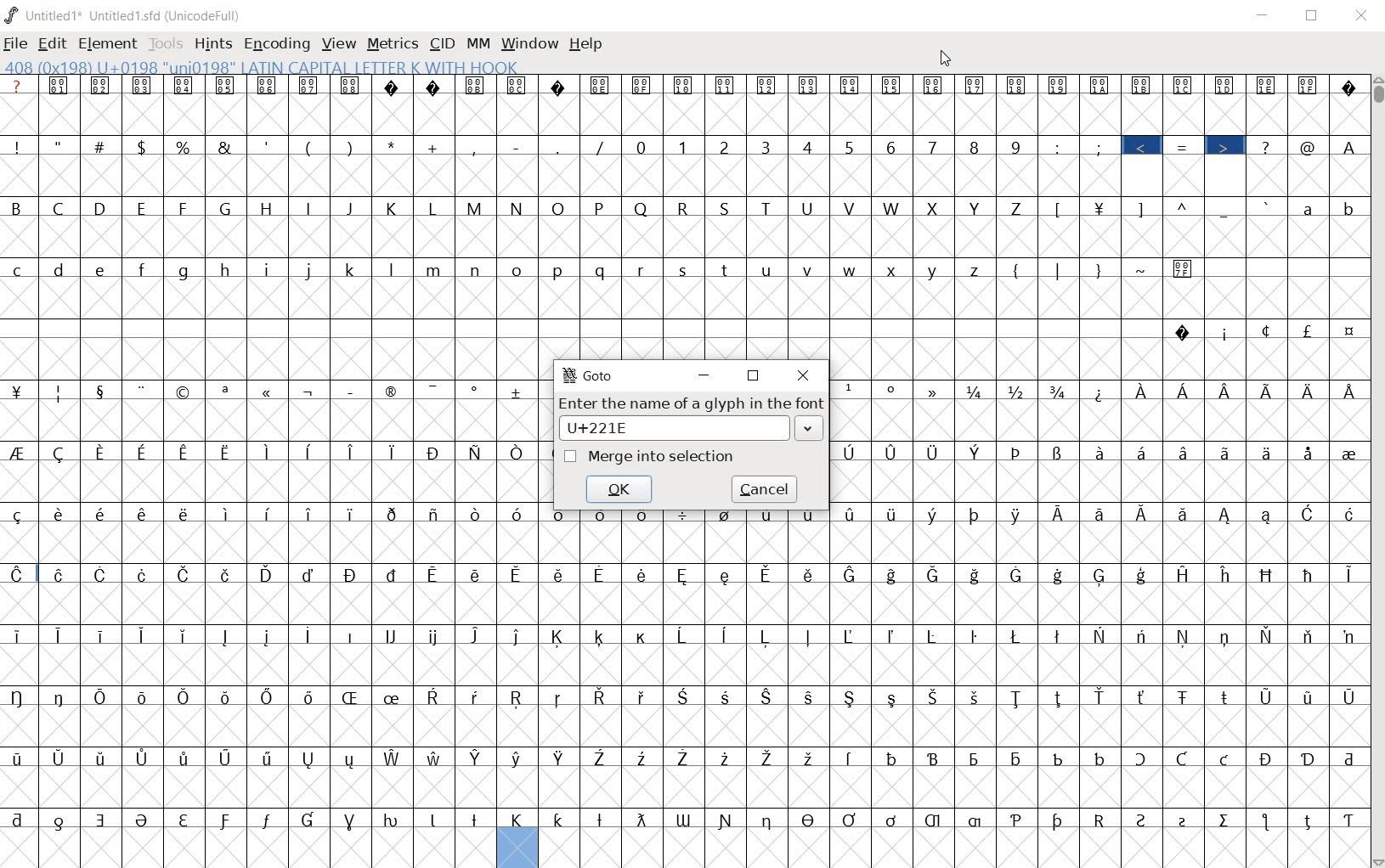 This screenshot has width=1385, height=868. I want to click on symbols, so click(1160, 207).